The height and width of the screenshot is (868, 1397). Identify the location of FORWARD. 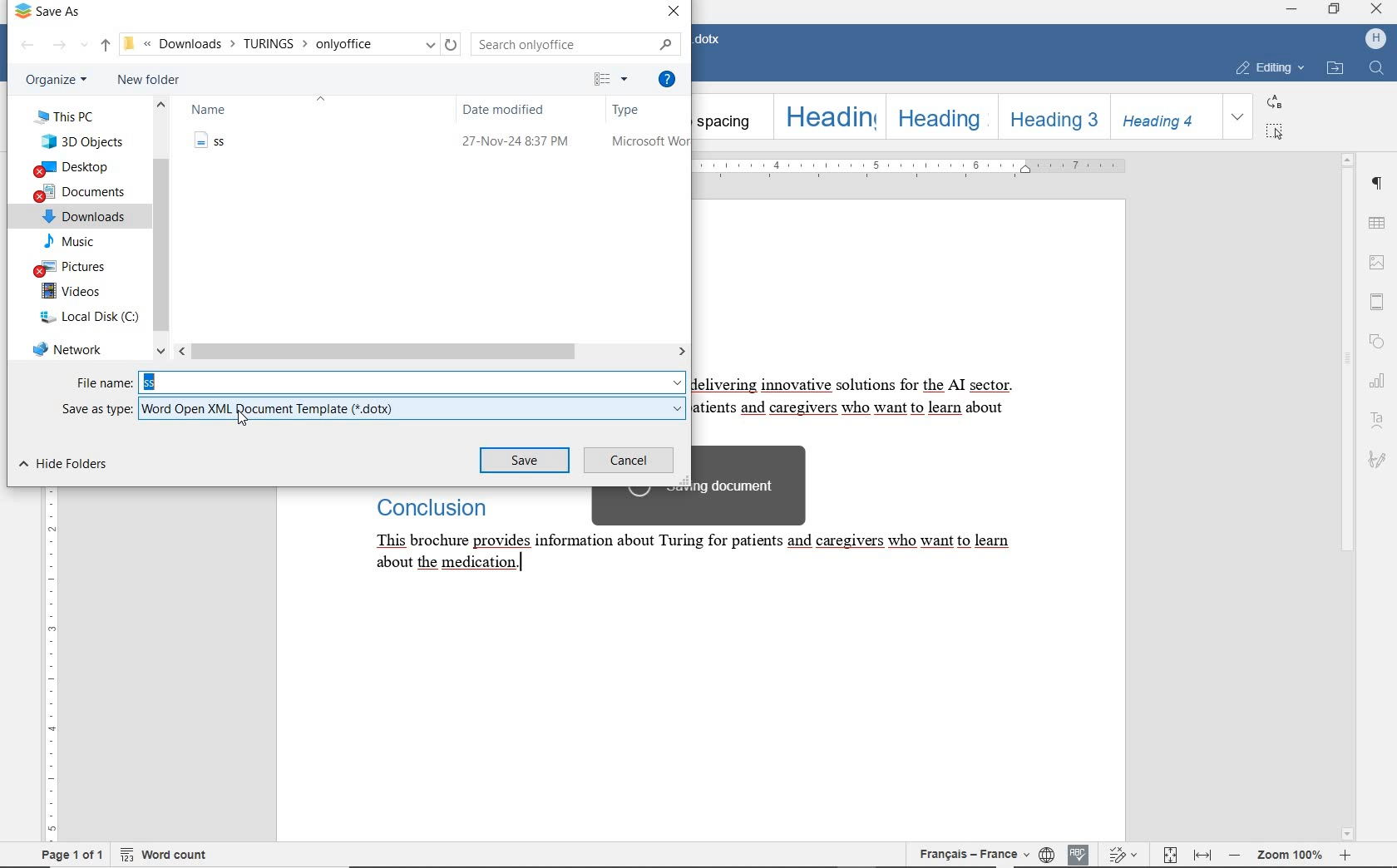
(60, 47).